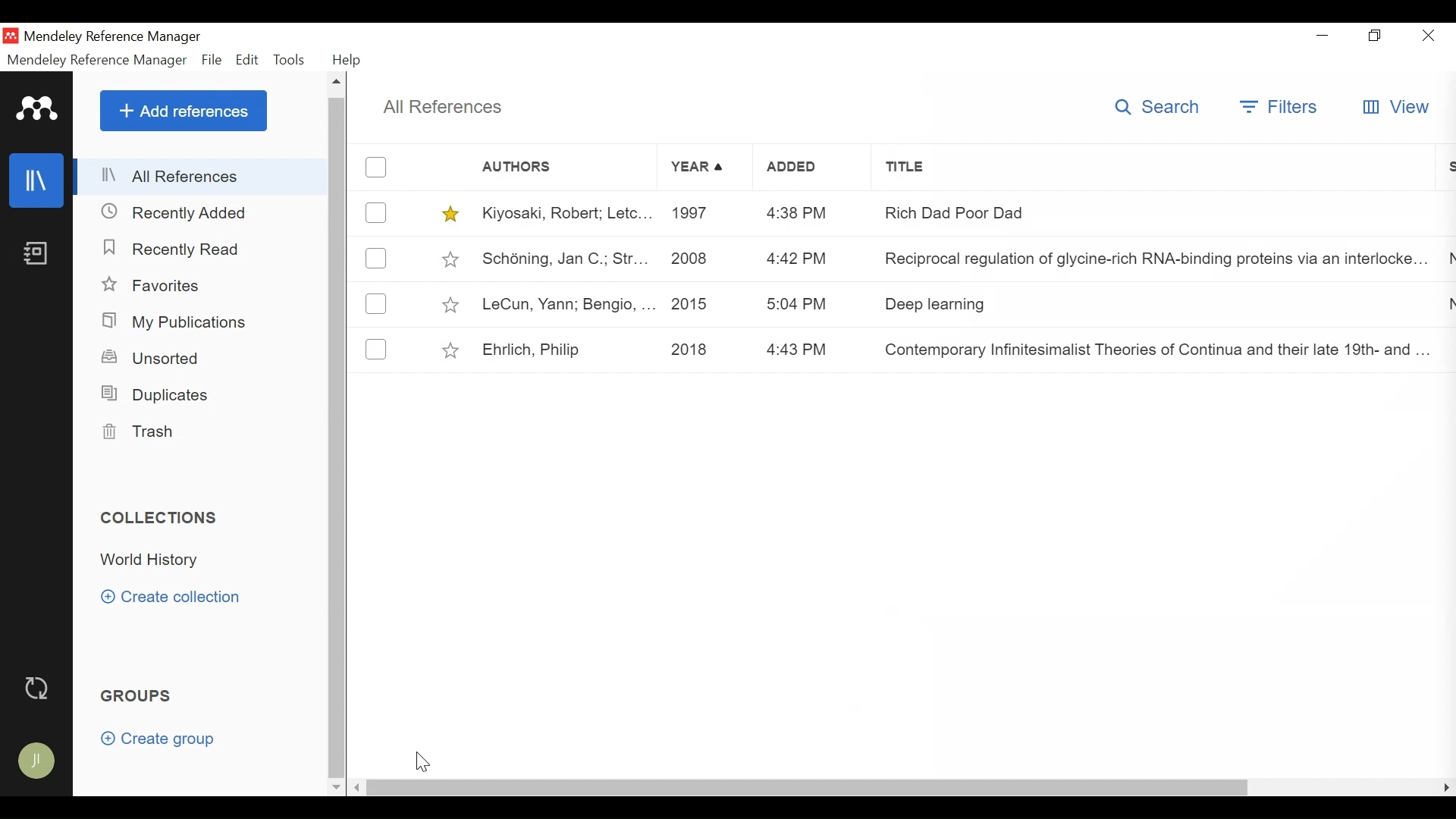  What do you see at coordinates (454, 215) in the screenshot?
I see `Toggle favorites` at bounding box center [454, 215].